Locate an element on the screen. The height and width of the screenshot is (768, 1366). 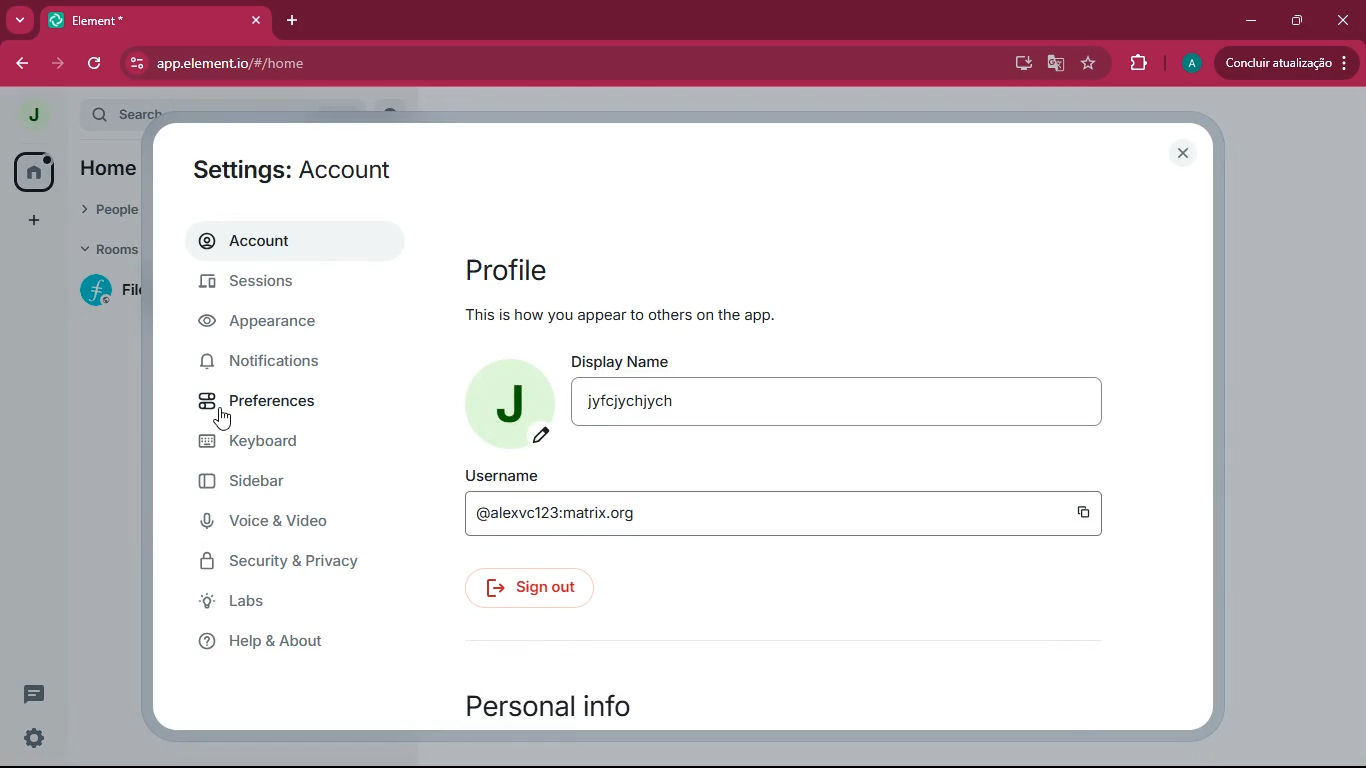
home is located at coordinates (117, 167).